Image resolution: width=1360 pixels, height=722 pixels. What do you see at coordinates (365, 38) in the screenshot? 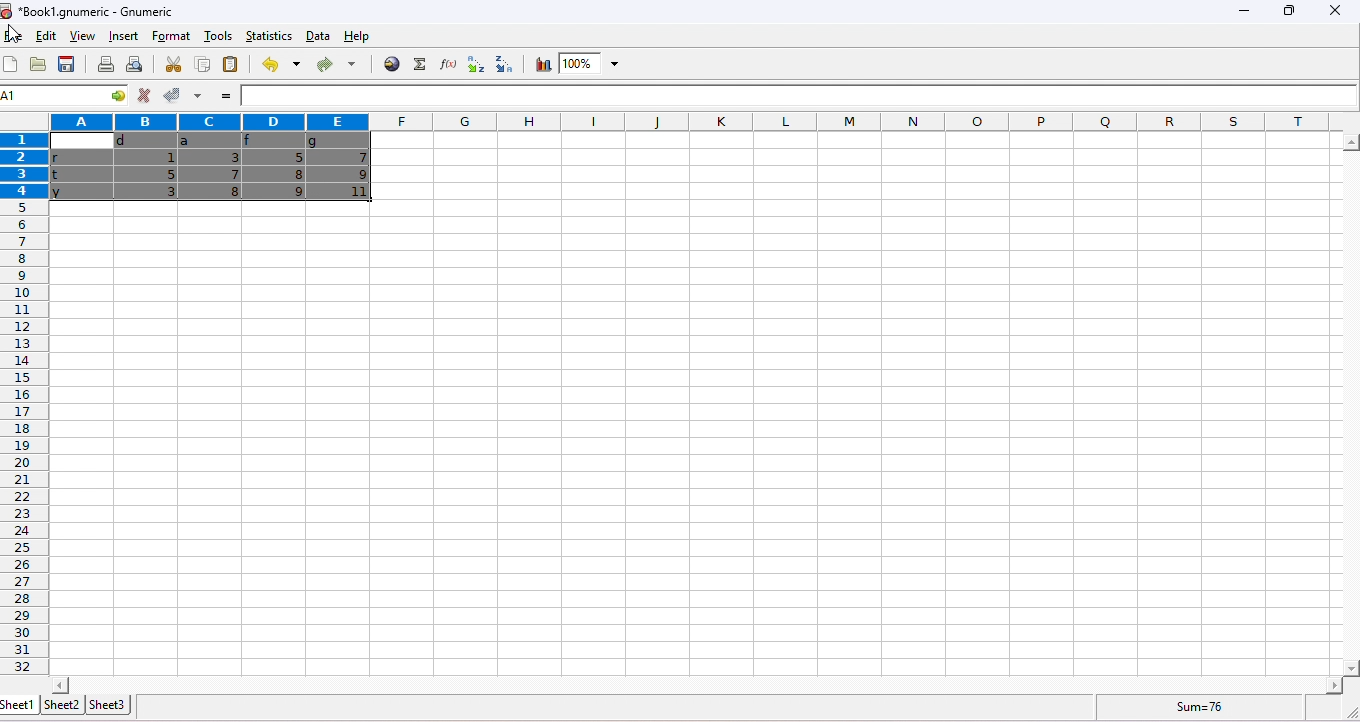
I see `help` at bounding box center [365, 38].